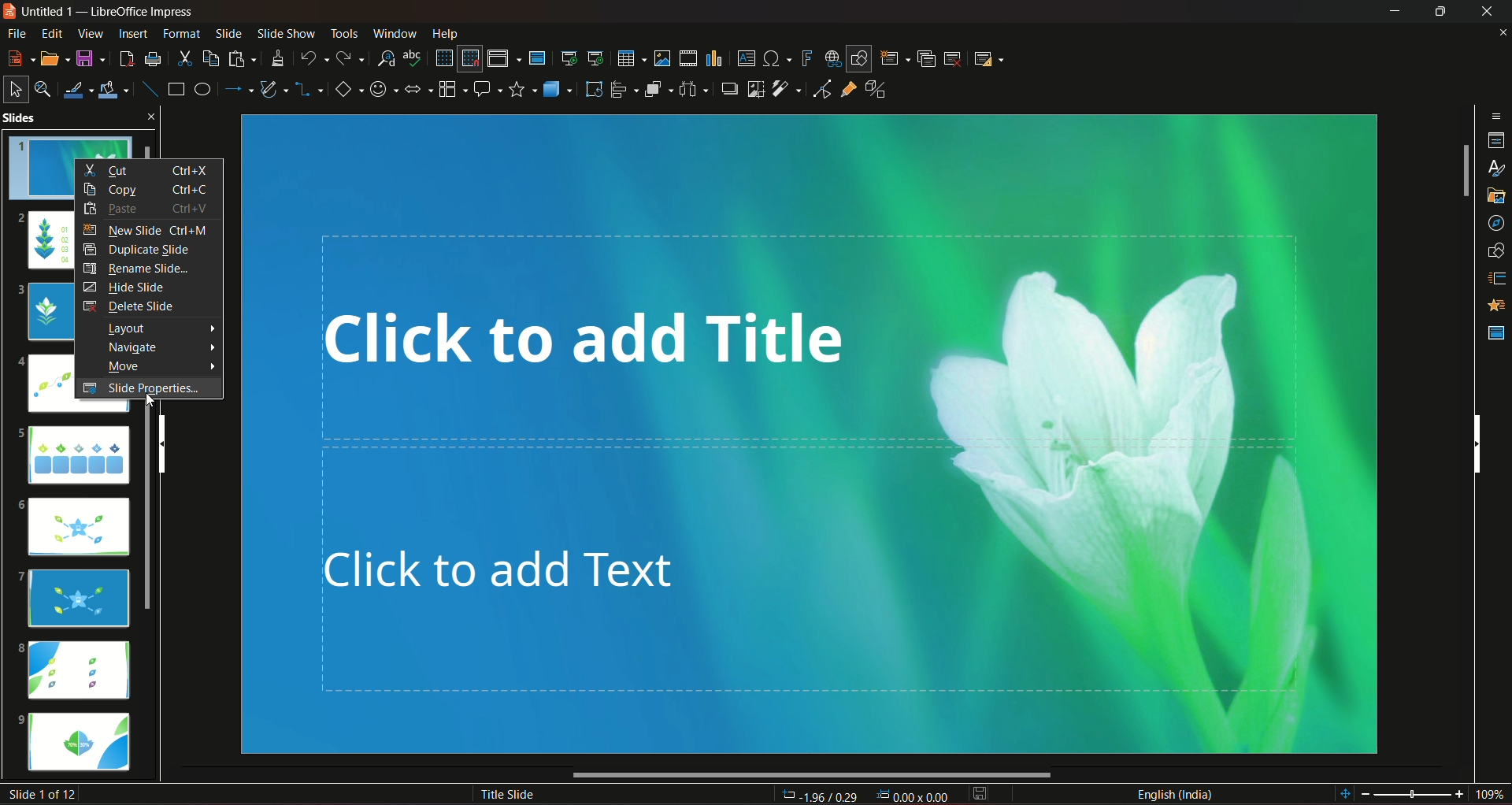  Describe the element at coordinates (813, 776) in the screenshot. I see `horizontal scroll bar` at that location.